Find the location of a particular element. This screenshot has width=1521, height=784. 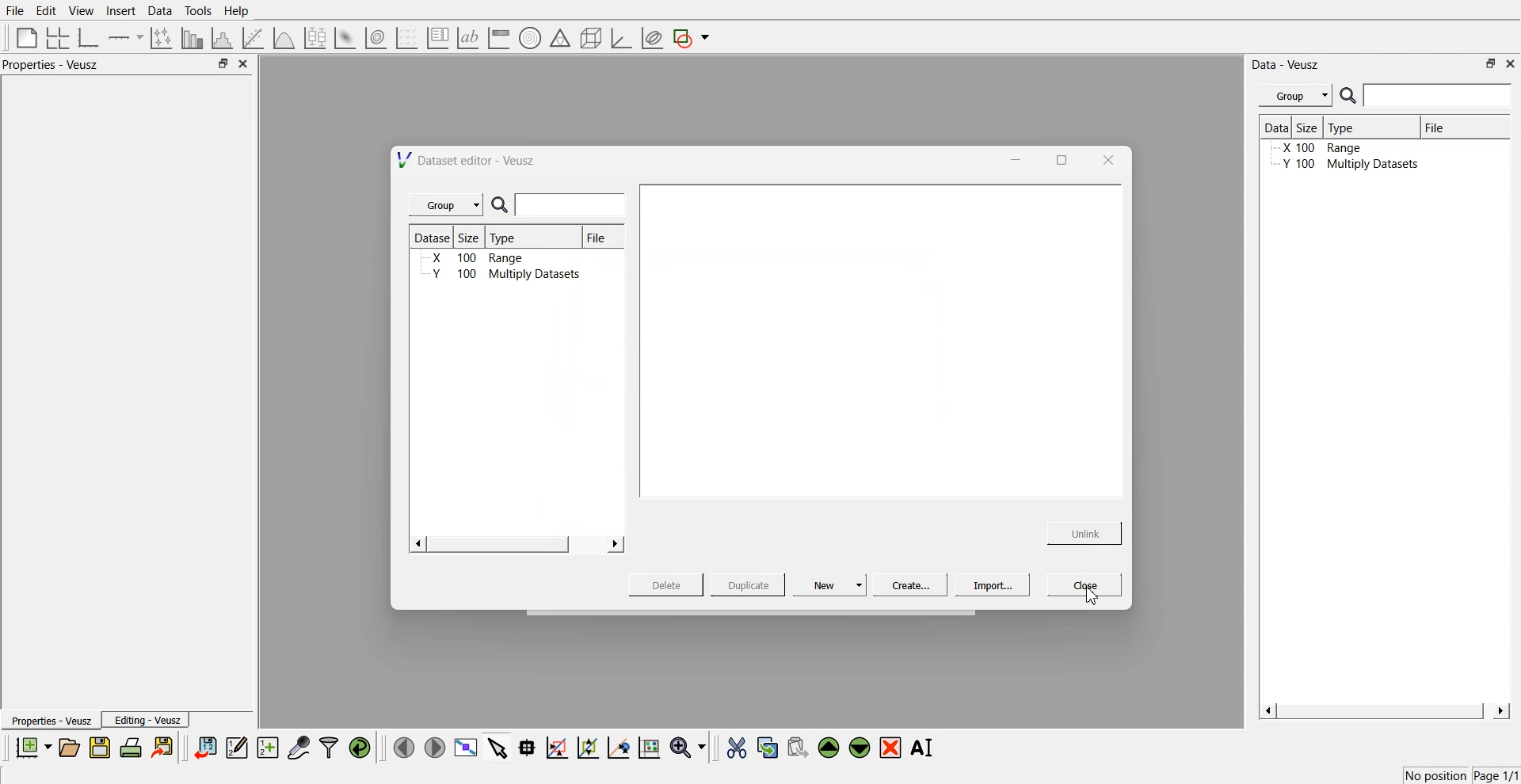

base graphs is located at coordinates (90, 37).